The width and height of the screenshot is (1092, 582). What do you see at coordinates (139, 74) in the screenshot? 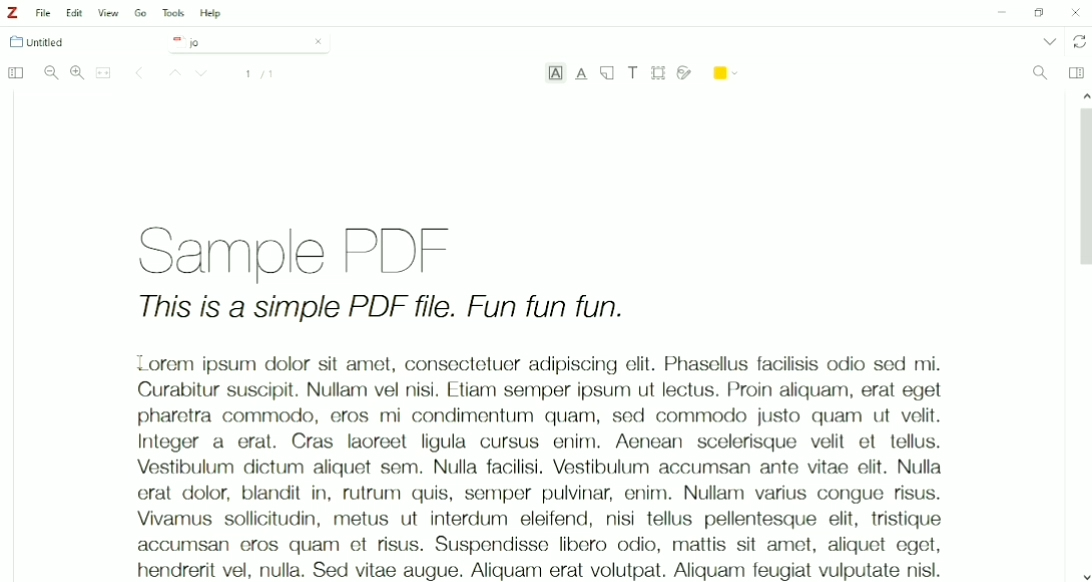
I see `Change Page` at bounding box center [139, 74].